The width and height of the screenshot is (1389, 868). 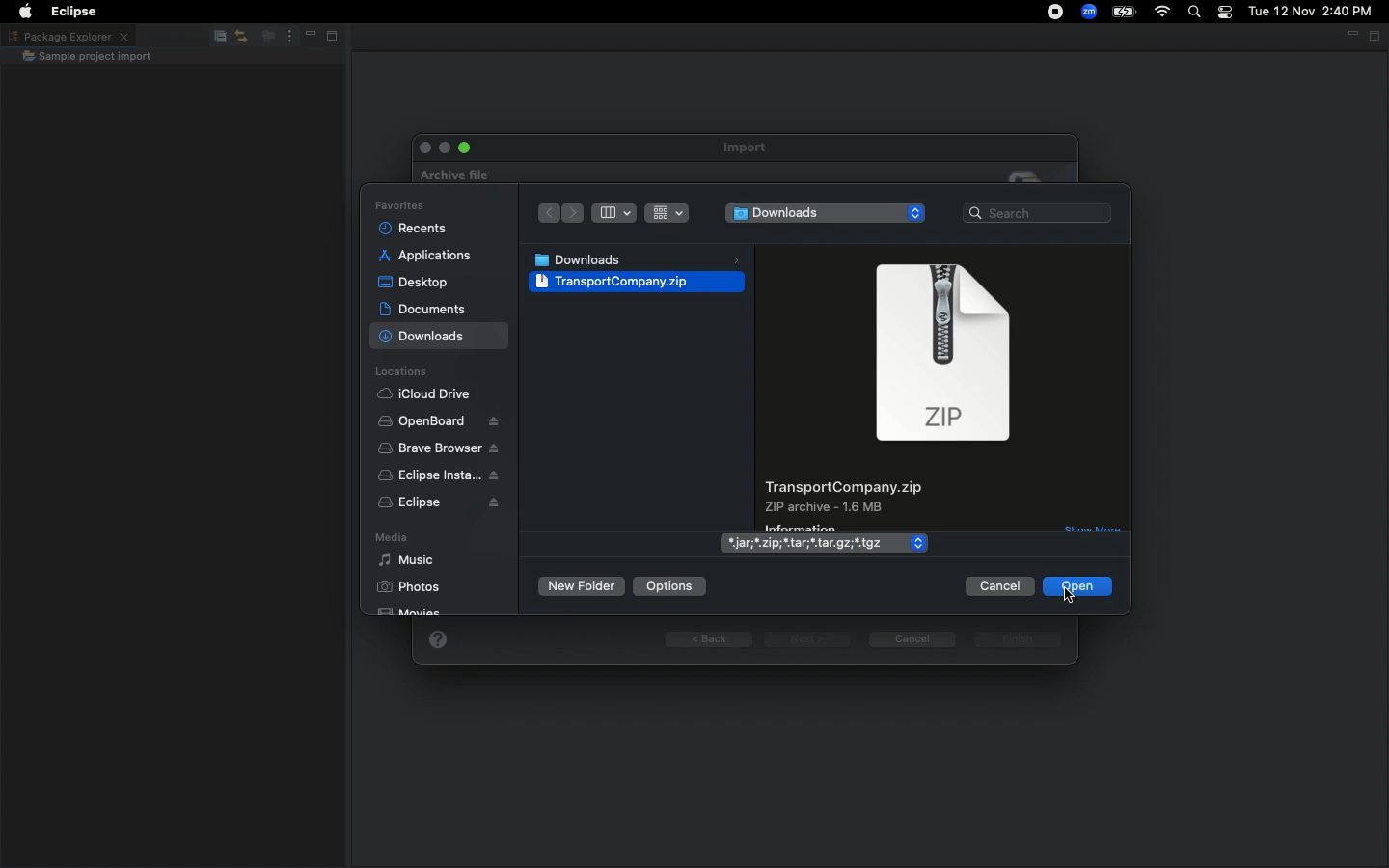 I want to click on show more, so click(x=1093, y=529).